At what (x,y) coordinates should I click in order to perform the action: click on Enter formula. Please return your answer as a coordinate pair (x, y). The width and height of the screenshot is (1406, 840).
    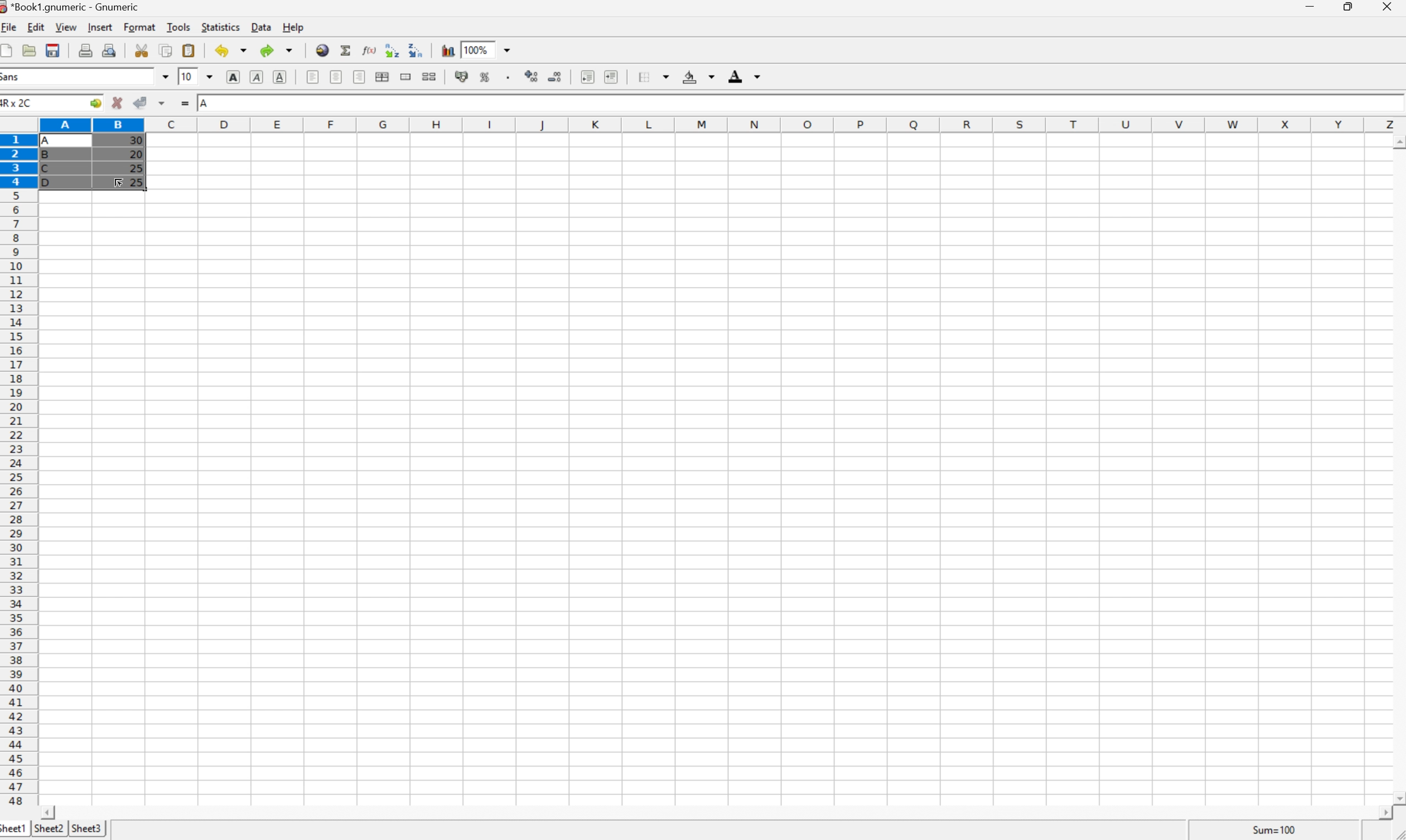
    Looking at the image, I should click on (185, 102).